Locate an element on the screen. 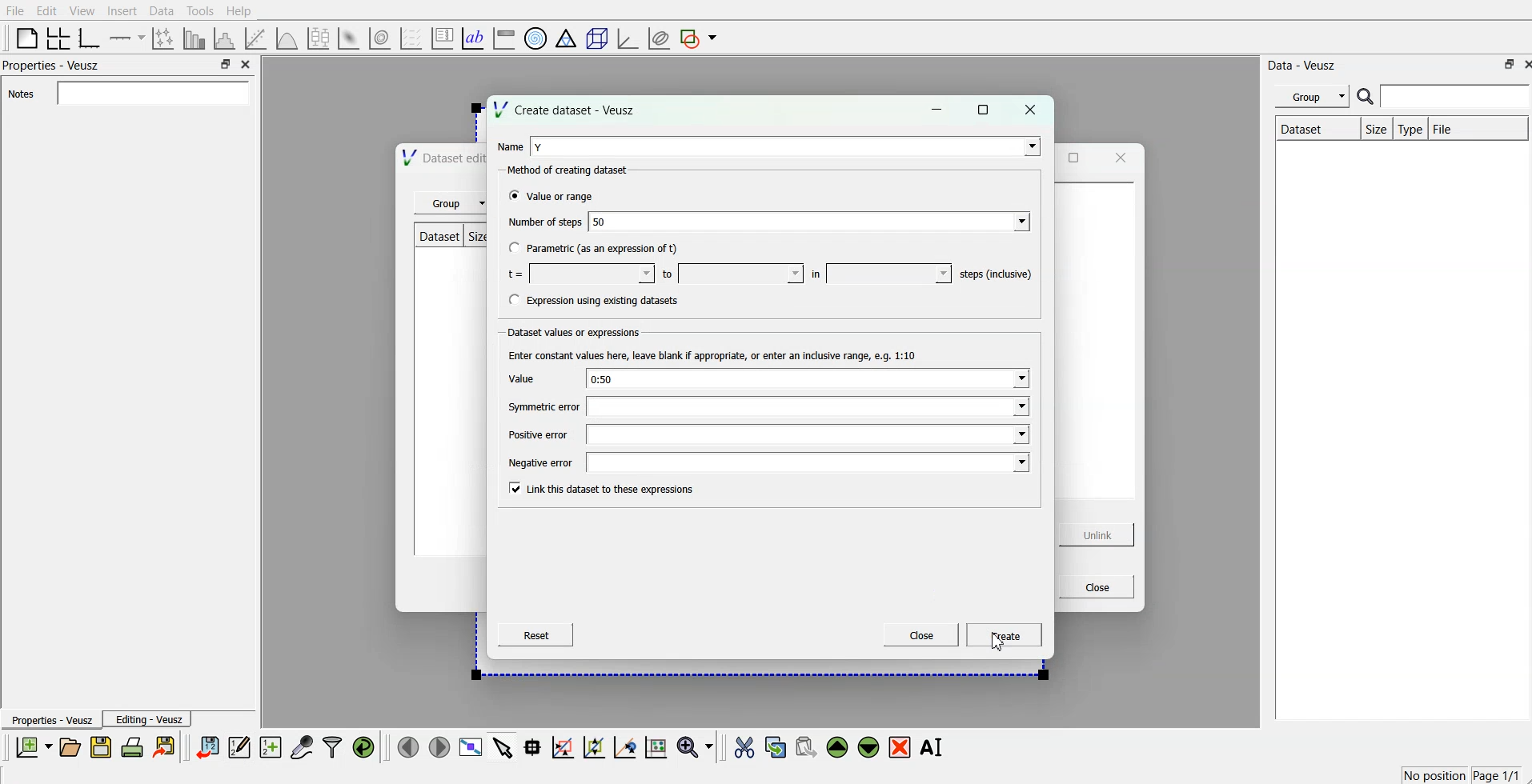 The width and height of the screenshot is (1532, 784). close is located at coordinates (247, 62).